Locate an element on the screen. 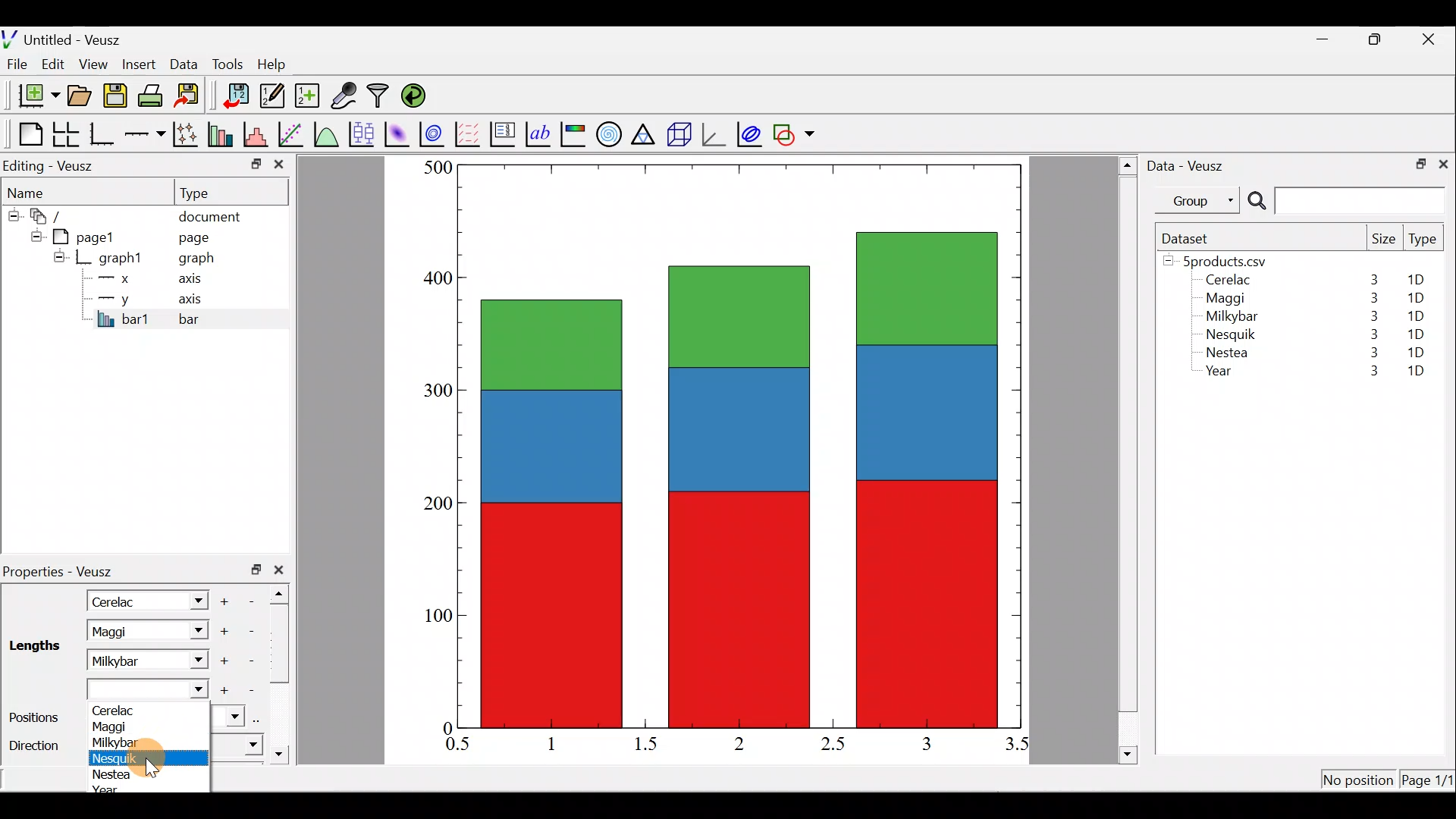  File is located at coordinates (14, 64).